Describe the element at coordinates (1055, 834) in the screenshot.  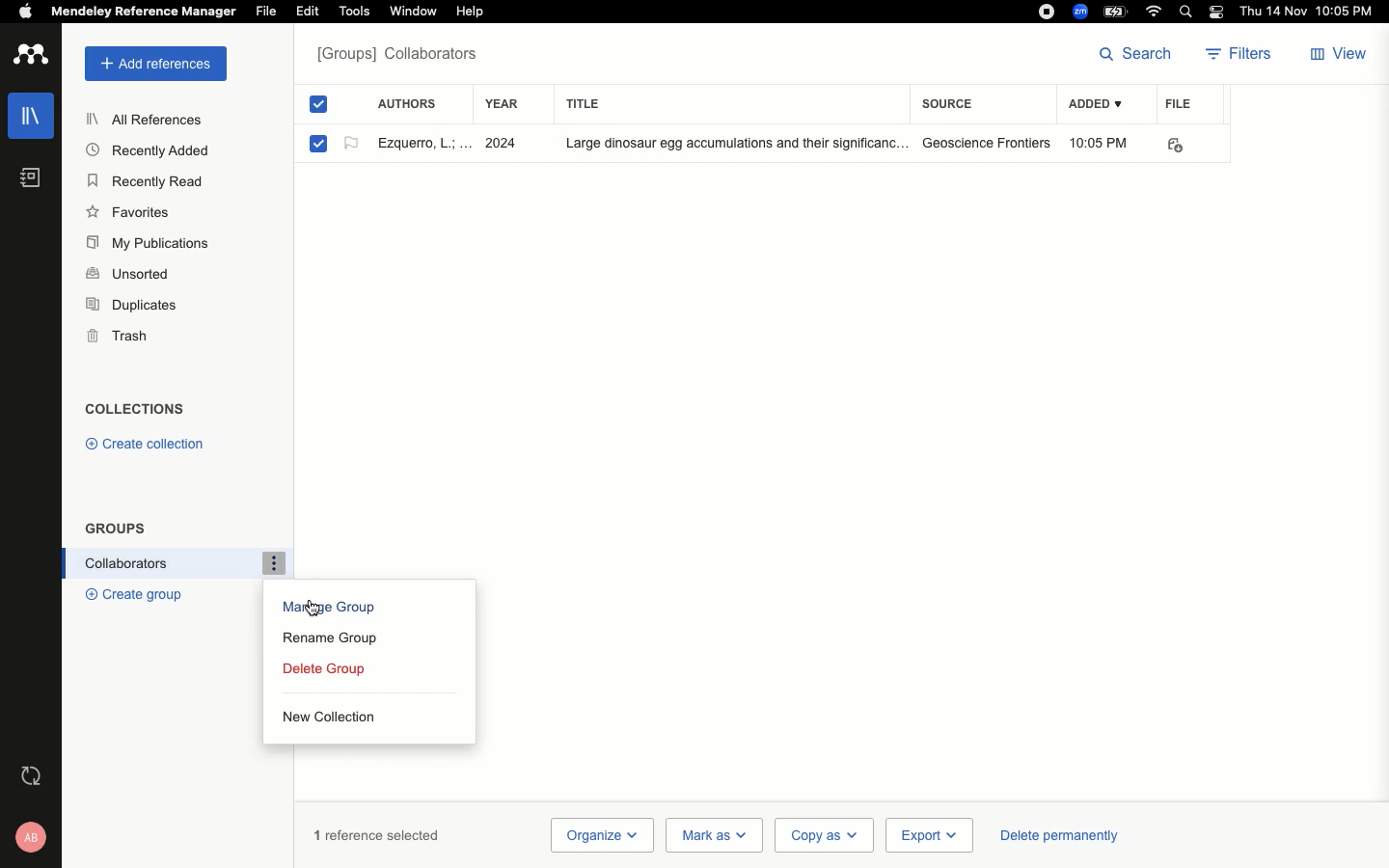
I see `Delete permanently` at that location.